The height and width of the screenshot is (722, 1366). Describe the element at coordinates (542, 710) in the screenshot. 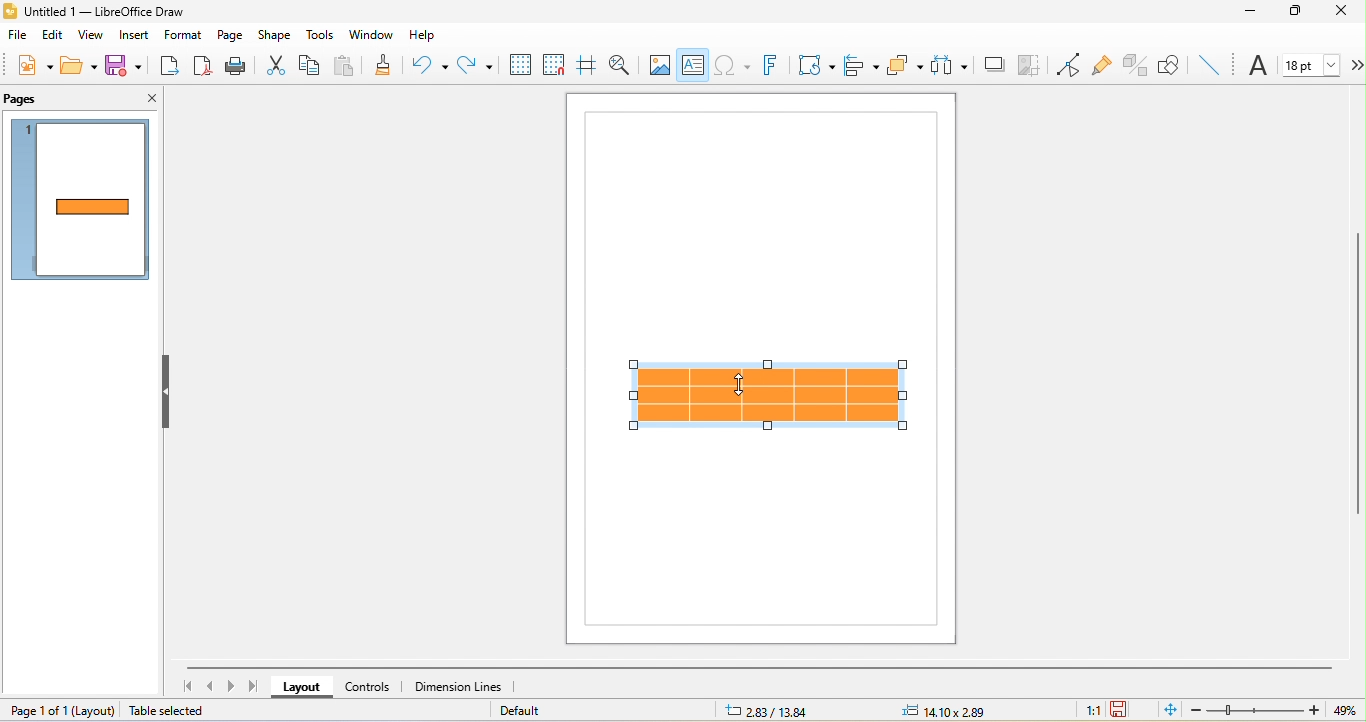

I see `default` at that location.